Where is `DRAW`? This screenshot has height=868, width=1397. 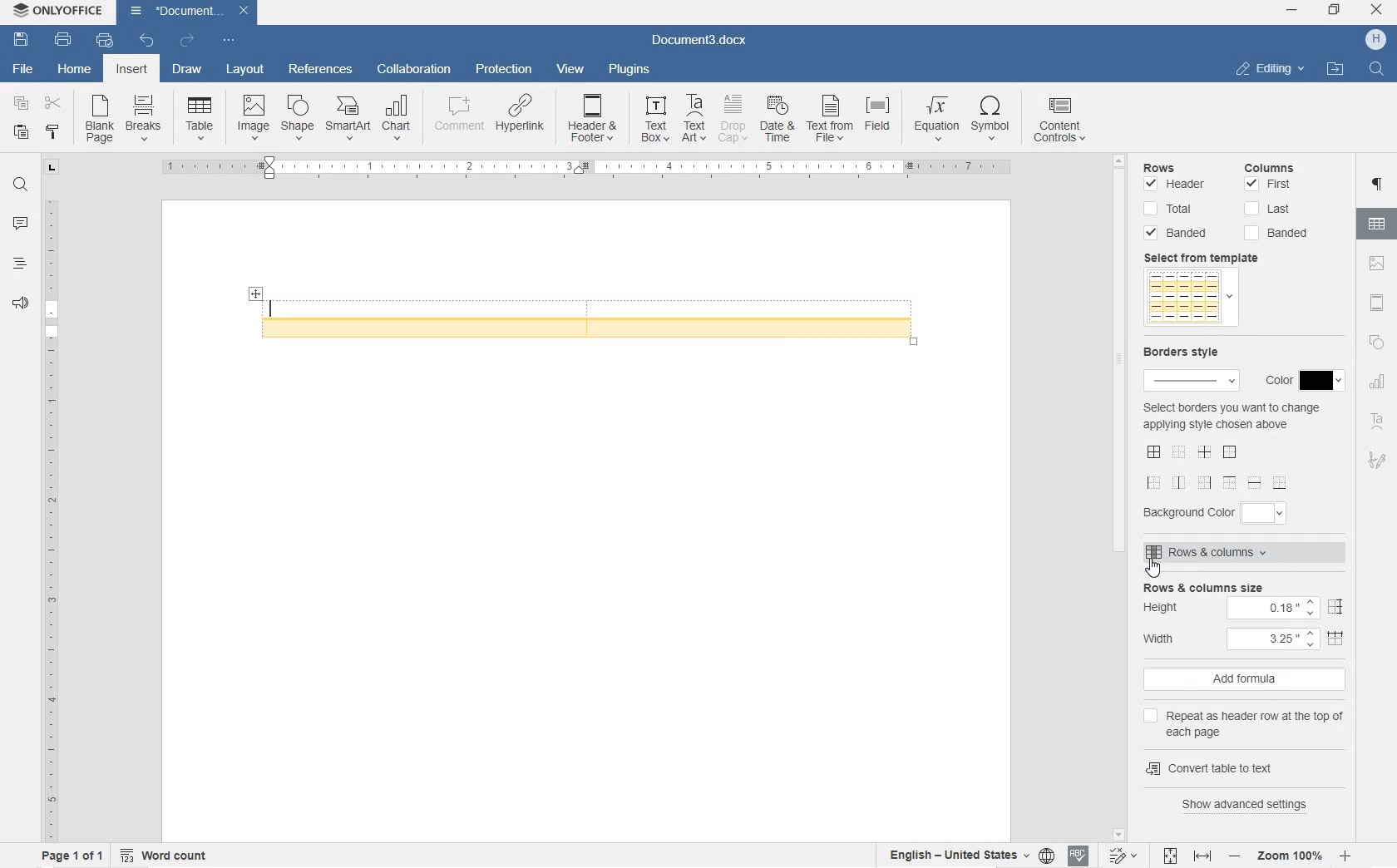
DRAW is located at coordinates (185, 72).